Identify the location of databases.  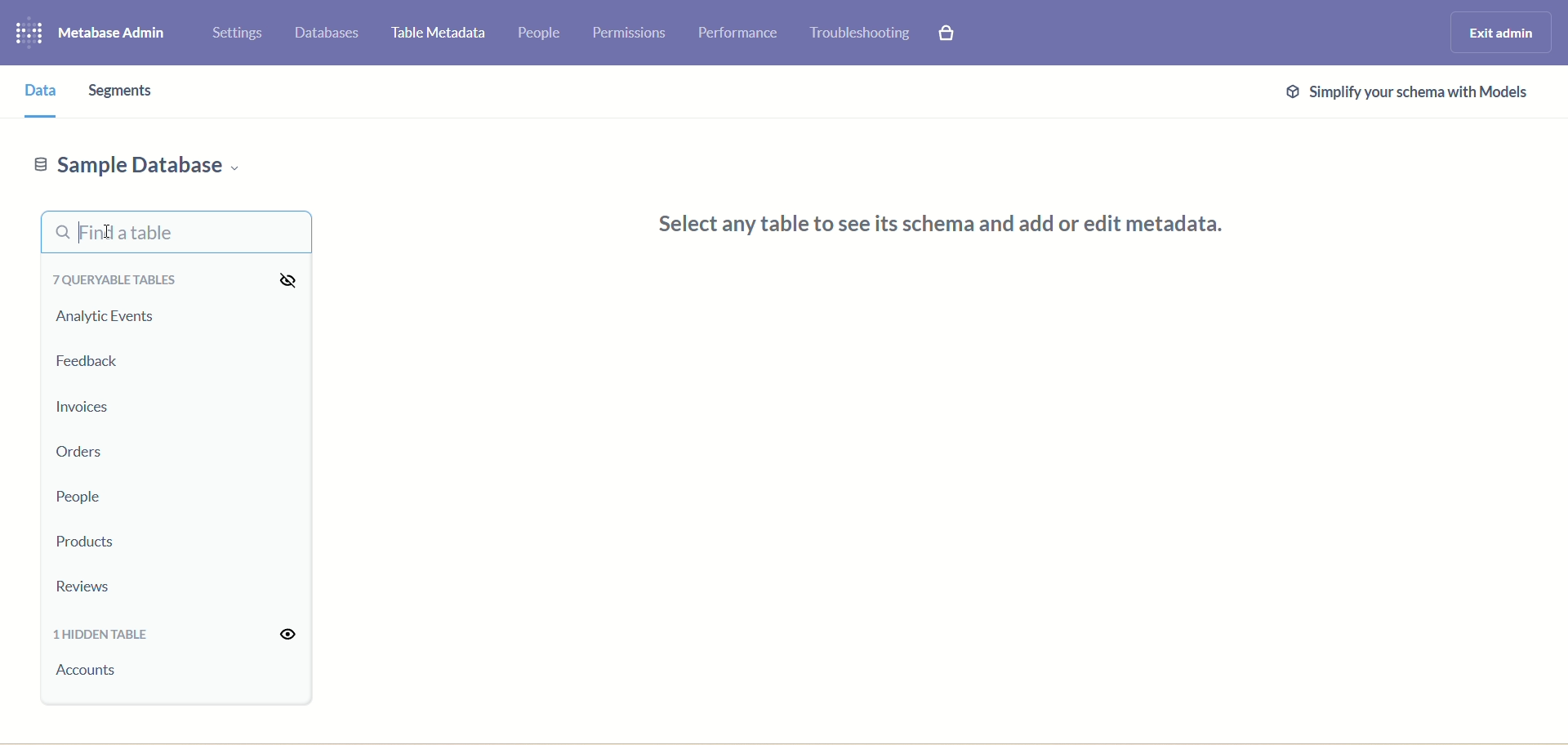
(329, 33).